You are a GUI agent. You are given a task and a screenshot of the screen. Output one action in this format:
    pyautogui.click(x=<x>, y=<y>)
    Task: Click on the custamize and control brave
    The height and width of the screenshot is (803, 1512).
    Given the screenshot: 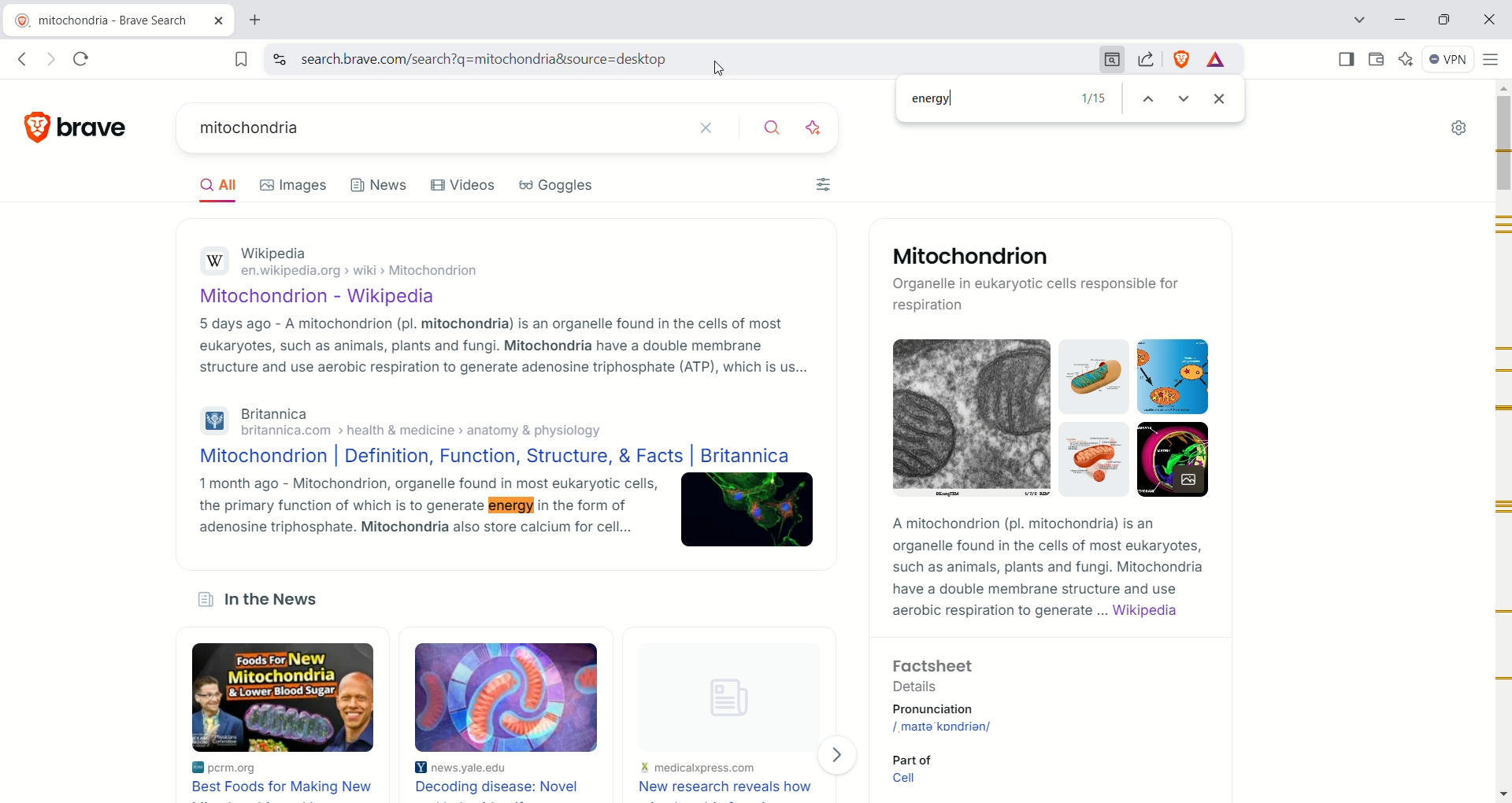 What is the action you would take?
    pyautogui.click(x=1492, y=61)
    